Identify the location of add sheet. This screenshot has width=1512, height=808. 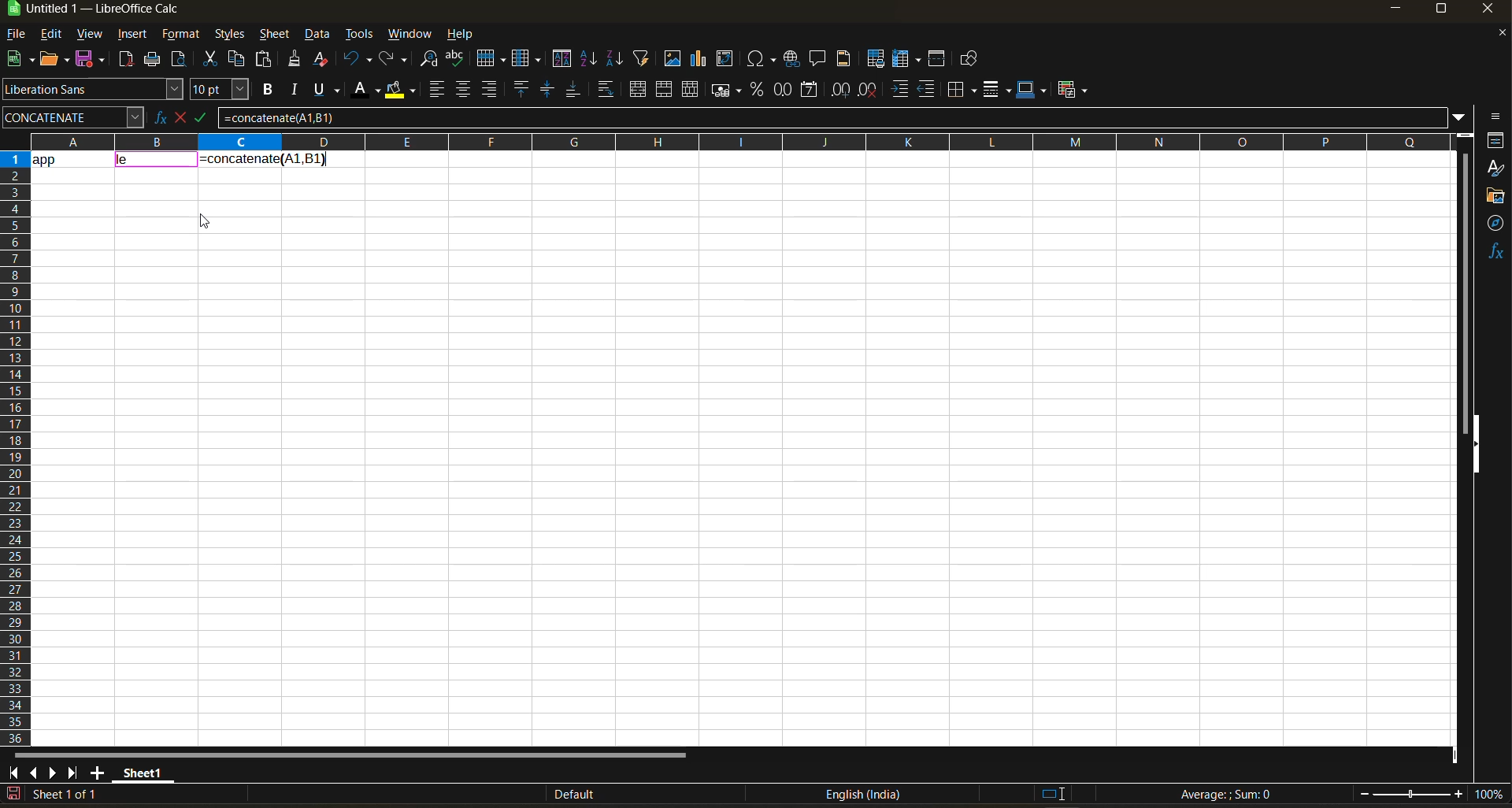
(97, 773).